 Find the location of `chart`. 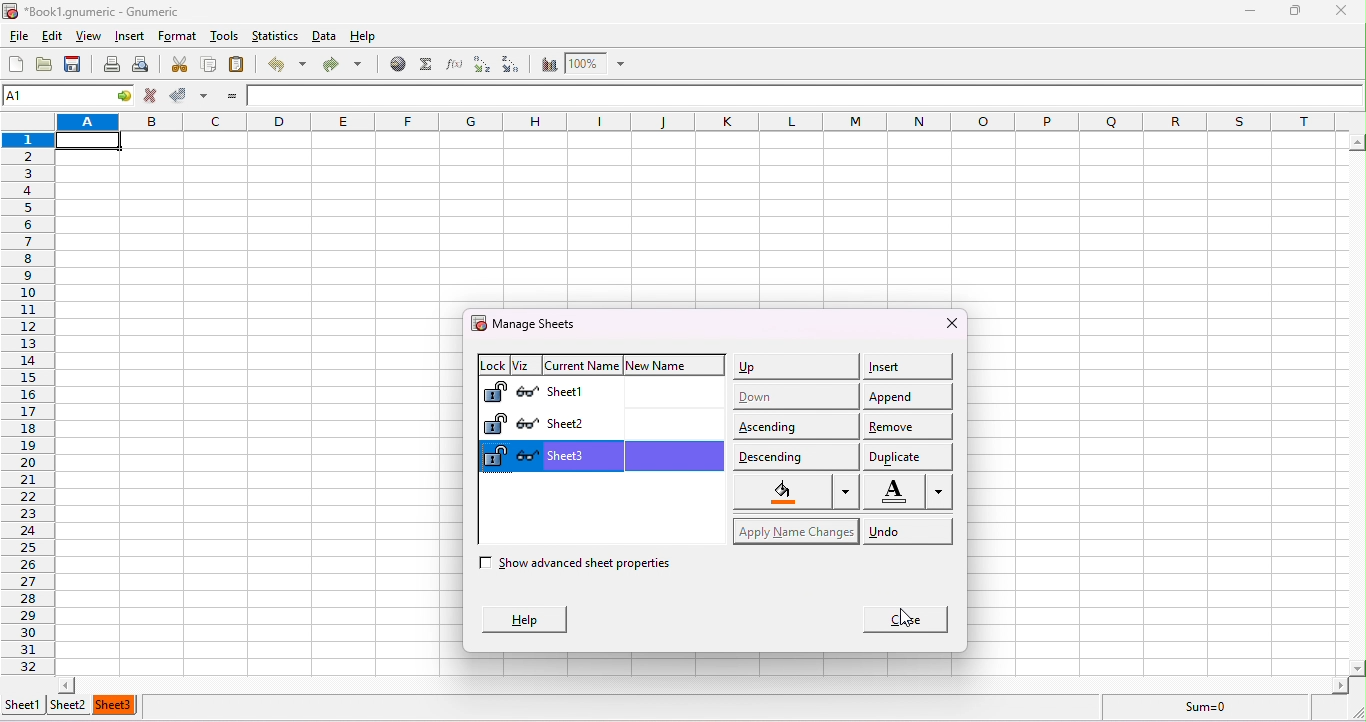

chart is located at coordinates (547, 63).